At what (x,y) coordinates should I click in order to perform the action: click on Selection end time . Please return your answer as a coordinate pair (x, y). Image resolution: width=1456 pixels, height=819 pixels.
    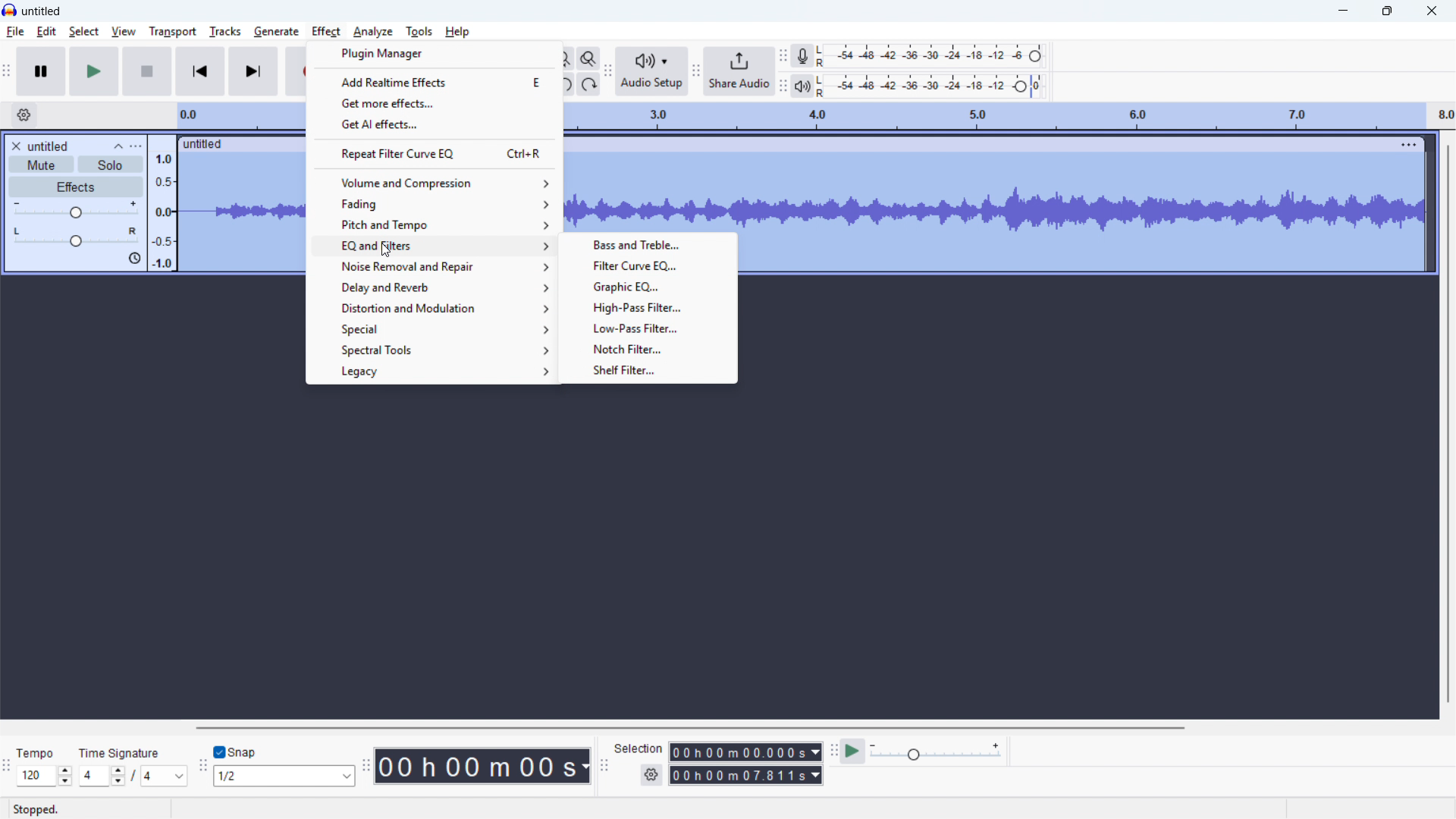
    Looking at the image, I should click on (747, 776).